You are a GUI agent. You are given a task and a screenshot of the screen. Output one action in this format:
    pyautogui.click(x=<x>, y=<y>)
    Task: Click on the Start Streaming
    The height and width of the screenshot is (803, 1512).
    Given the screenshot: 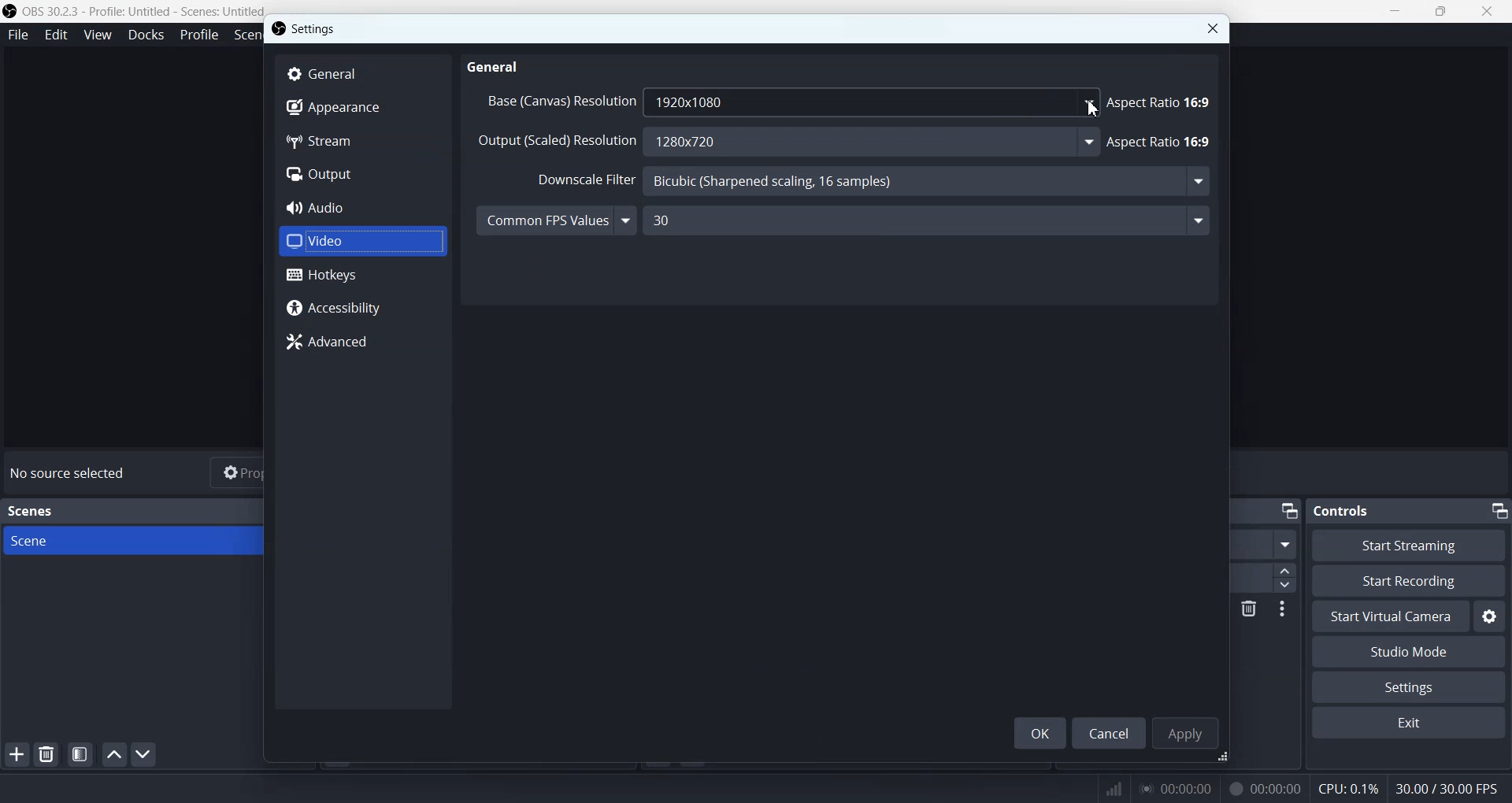 What is the action you would take?
    pyautogui.click(x=1407, y=545)
    